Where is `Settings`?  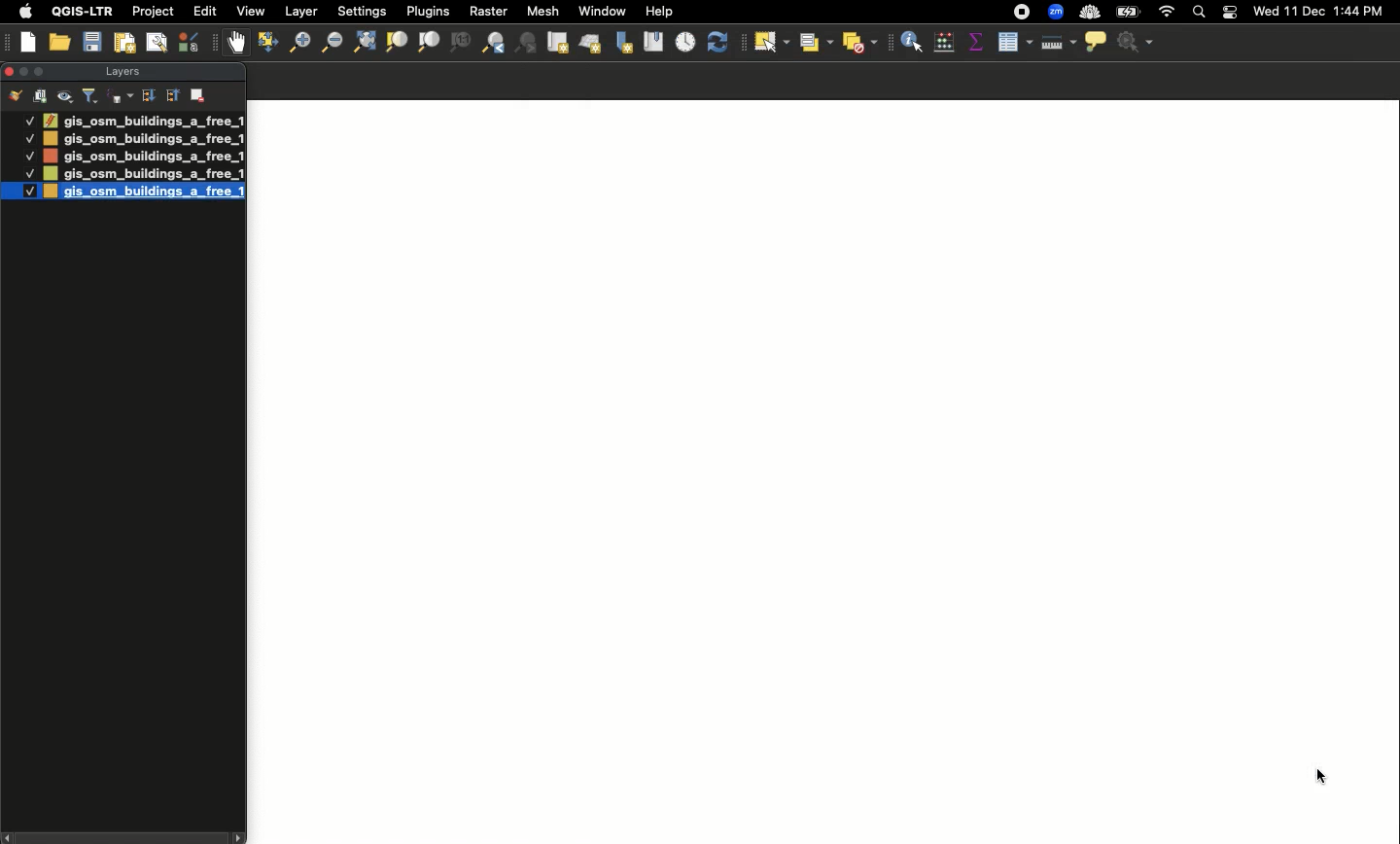 Settings is located at coordinates (364, 12).